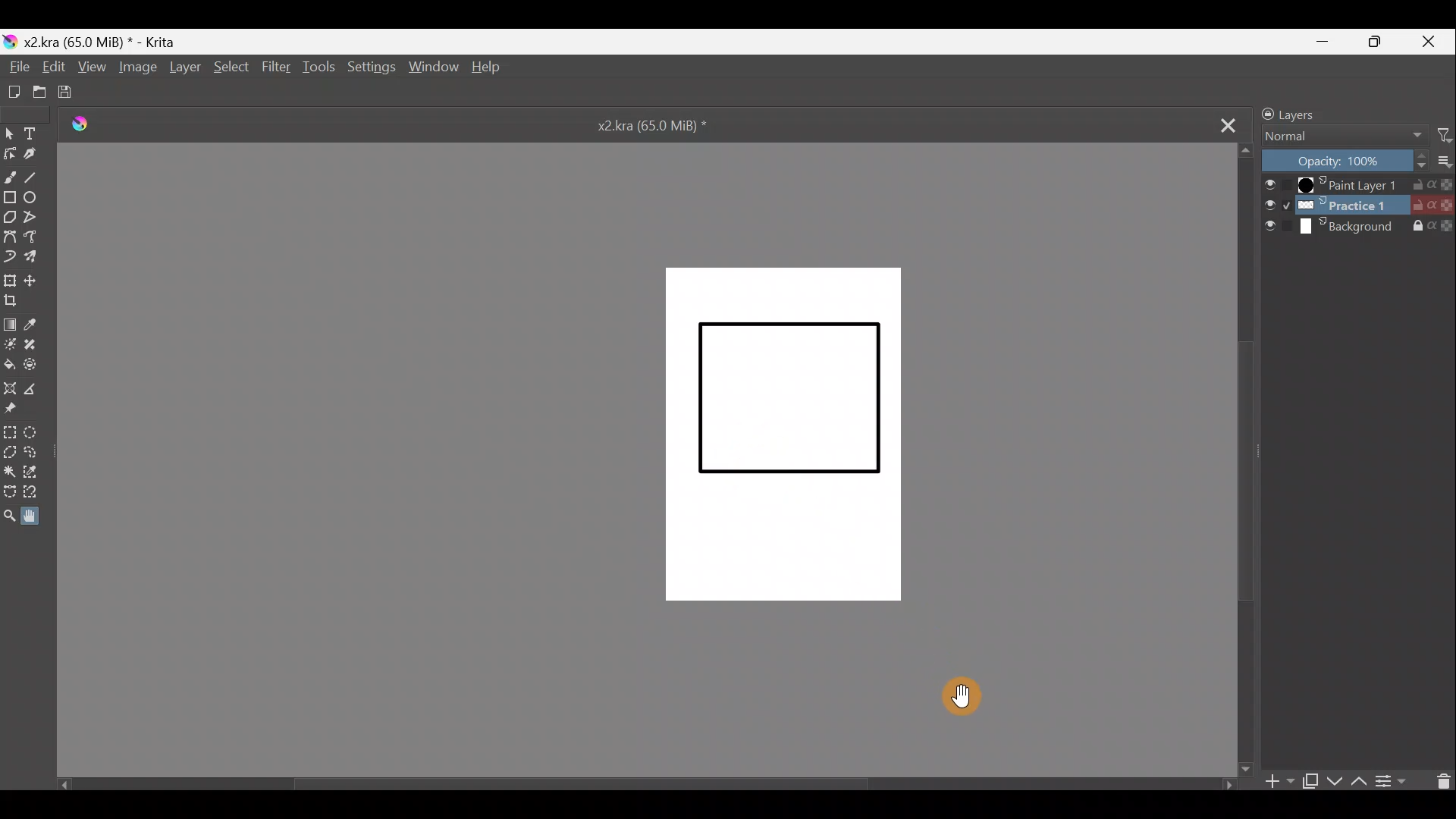  Describe the element at coordinates (11, 433) in the screenshot. I see `Rectangular selection tool` at that location.